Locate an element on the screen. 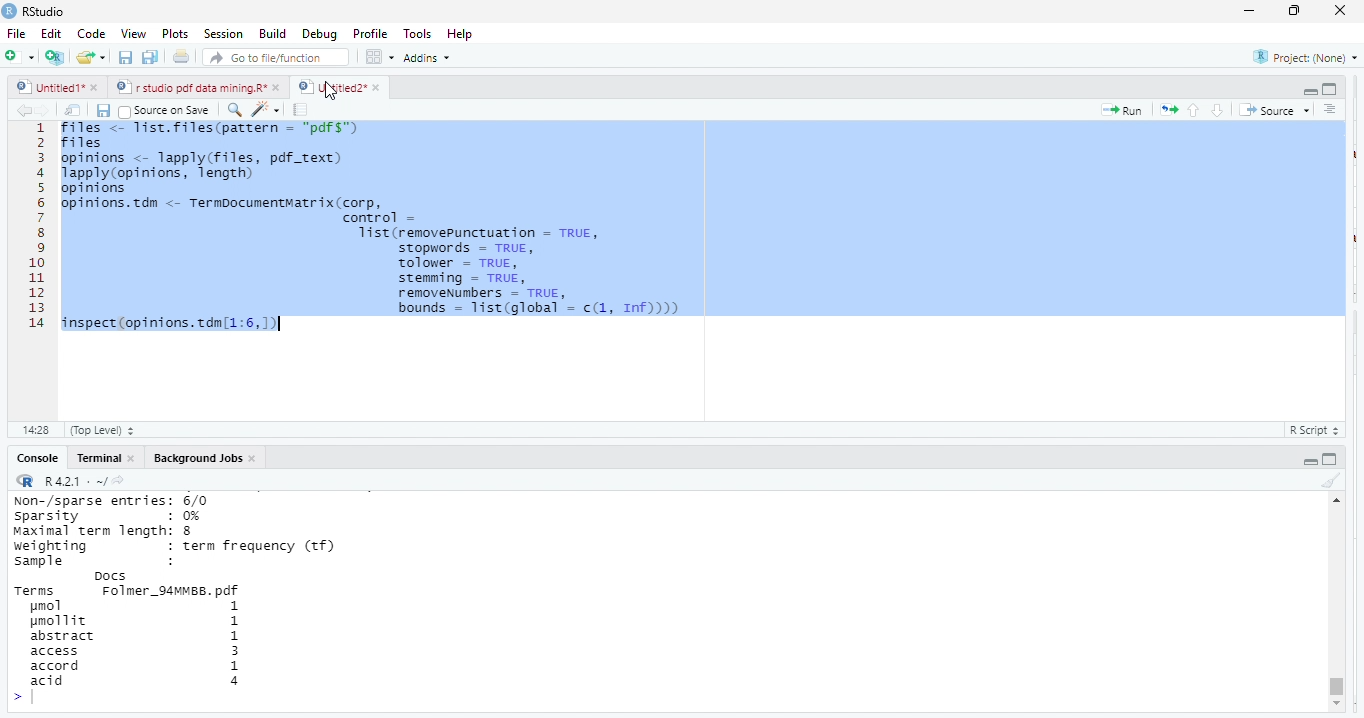  hide r script is located at coordinates (1311, 460).